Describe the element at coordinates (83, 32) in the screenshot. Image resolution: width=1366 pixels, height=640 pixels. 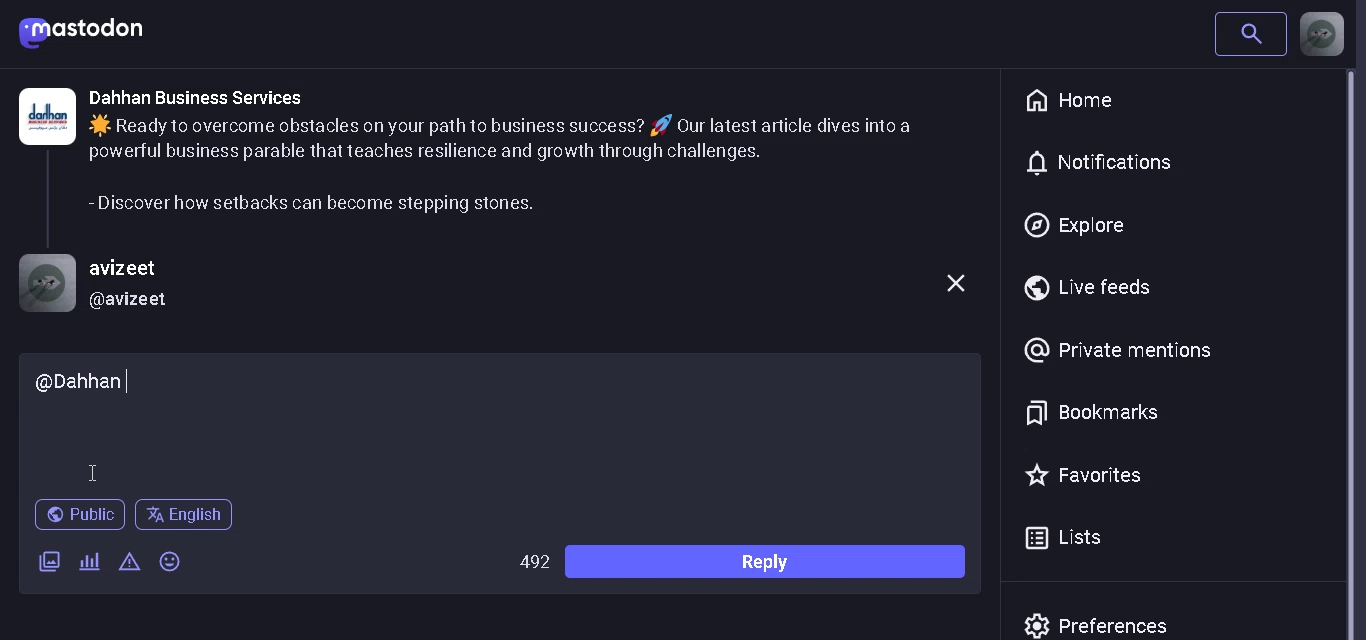
I see `mastodon` at that location.